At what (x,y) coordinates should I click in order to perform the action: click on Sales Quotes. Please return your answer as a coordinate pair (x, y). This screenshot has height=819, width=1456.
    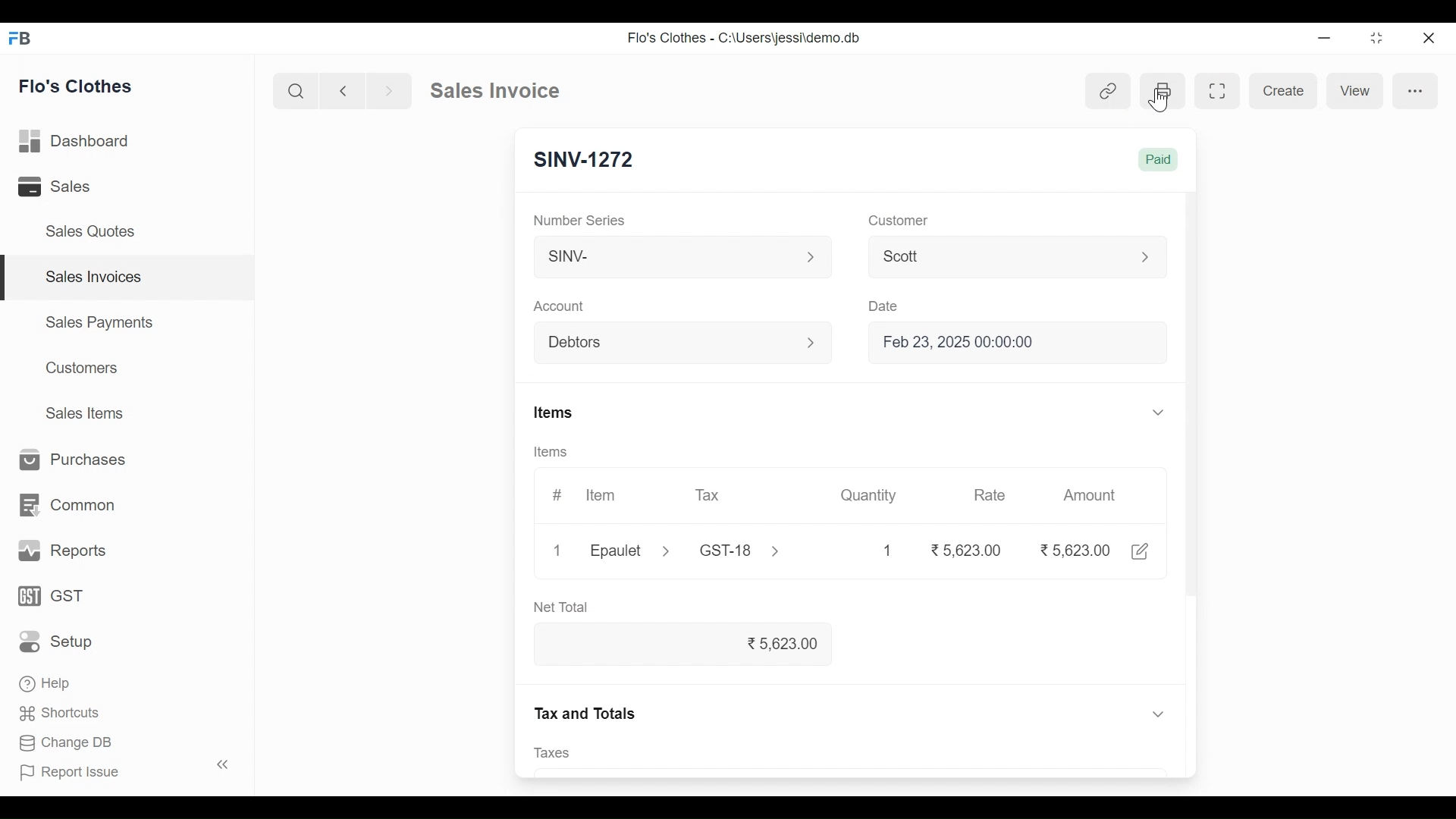
    Looking at the image, I should click on (96, 231).